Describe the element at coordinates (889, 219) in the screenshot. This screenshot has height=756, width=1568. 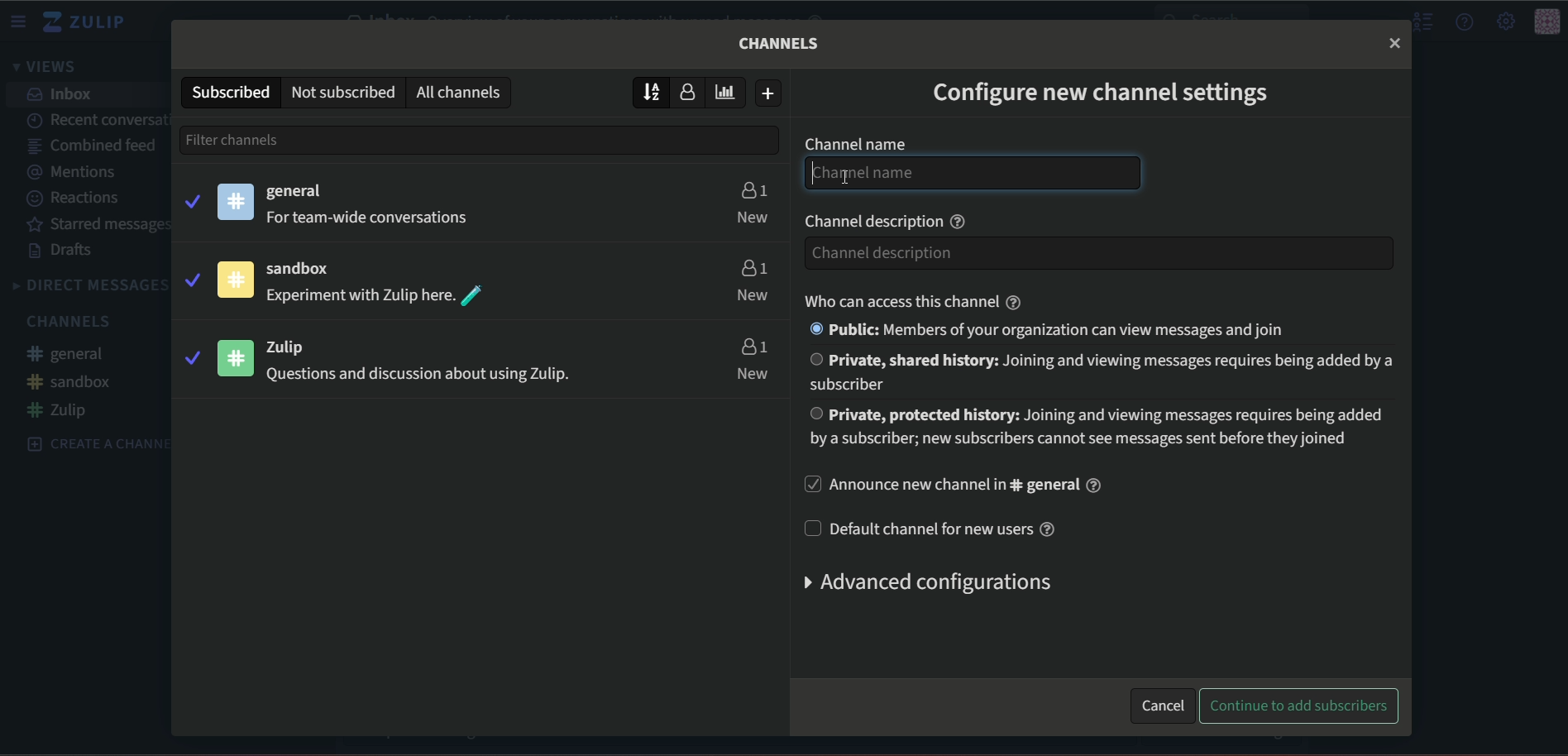
I see `Channel description` at that location.